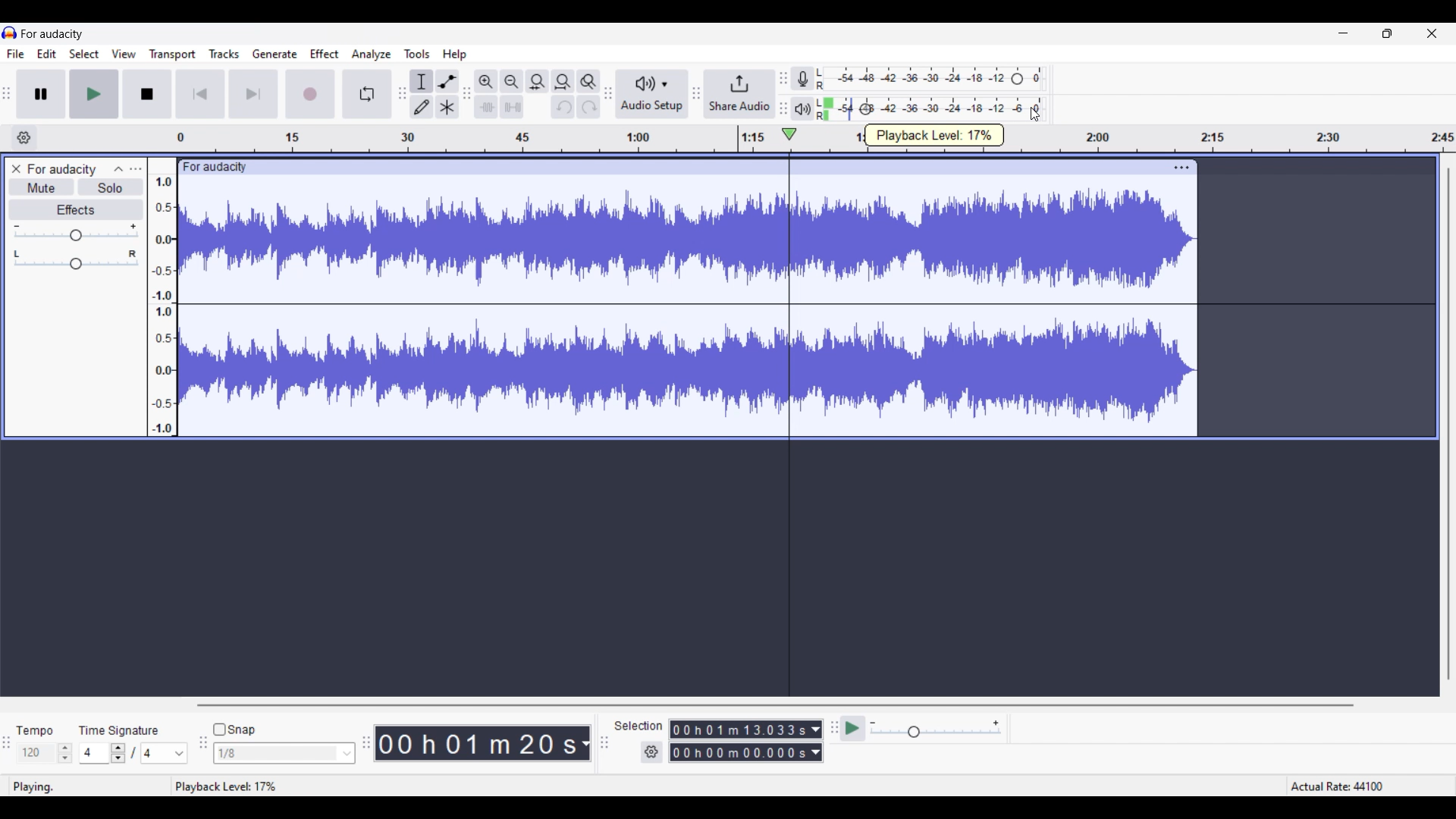  What do you see at coordinates (670, 165) in the screenshot?
I see `click to drag` at bounding box center [670, 165].